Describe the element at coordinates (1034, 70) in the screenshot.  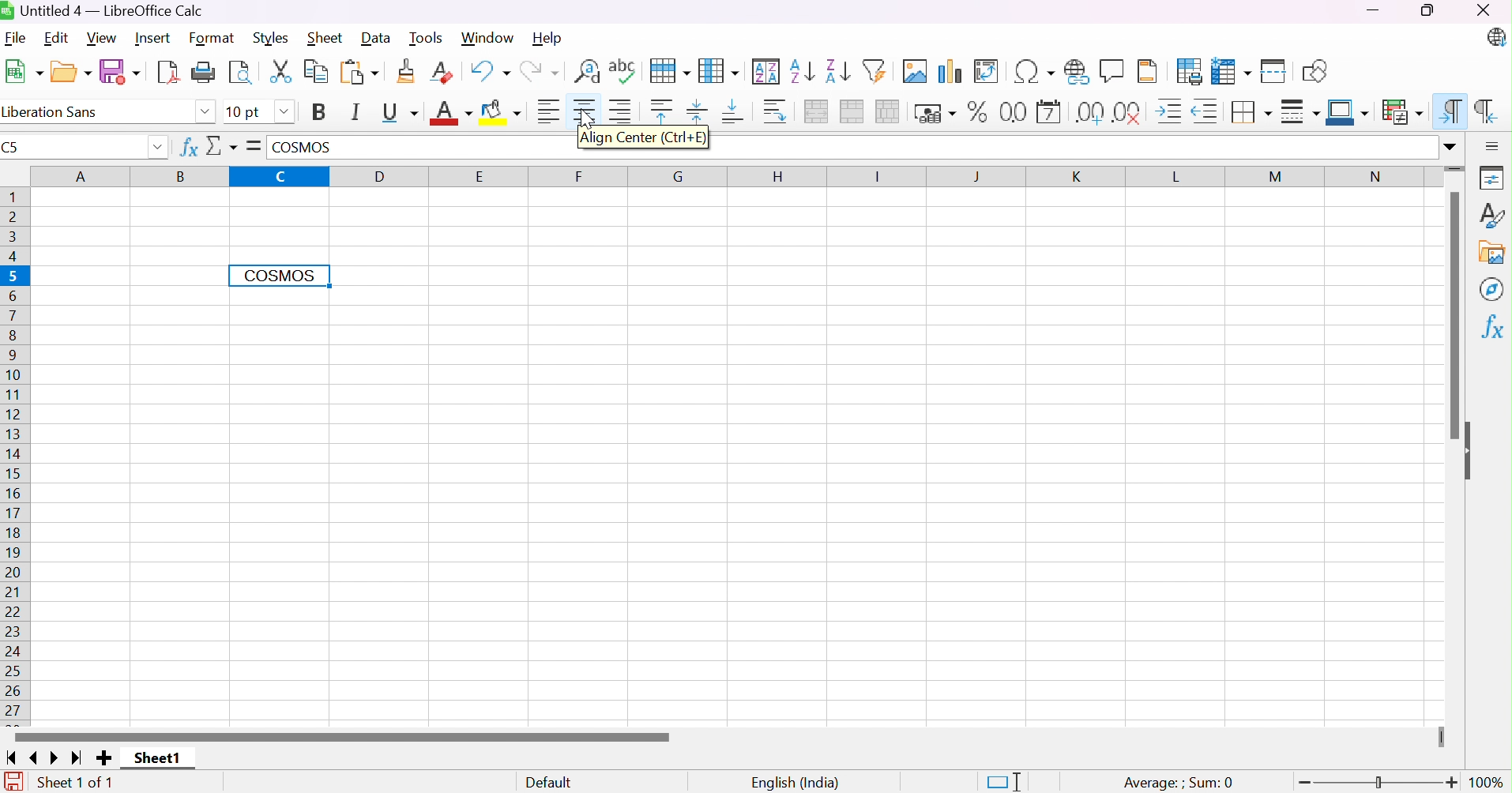
I see `Insert Special Characters` at that location.